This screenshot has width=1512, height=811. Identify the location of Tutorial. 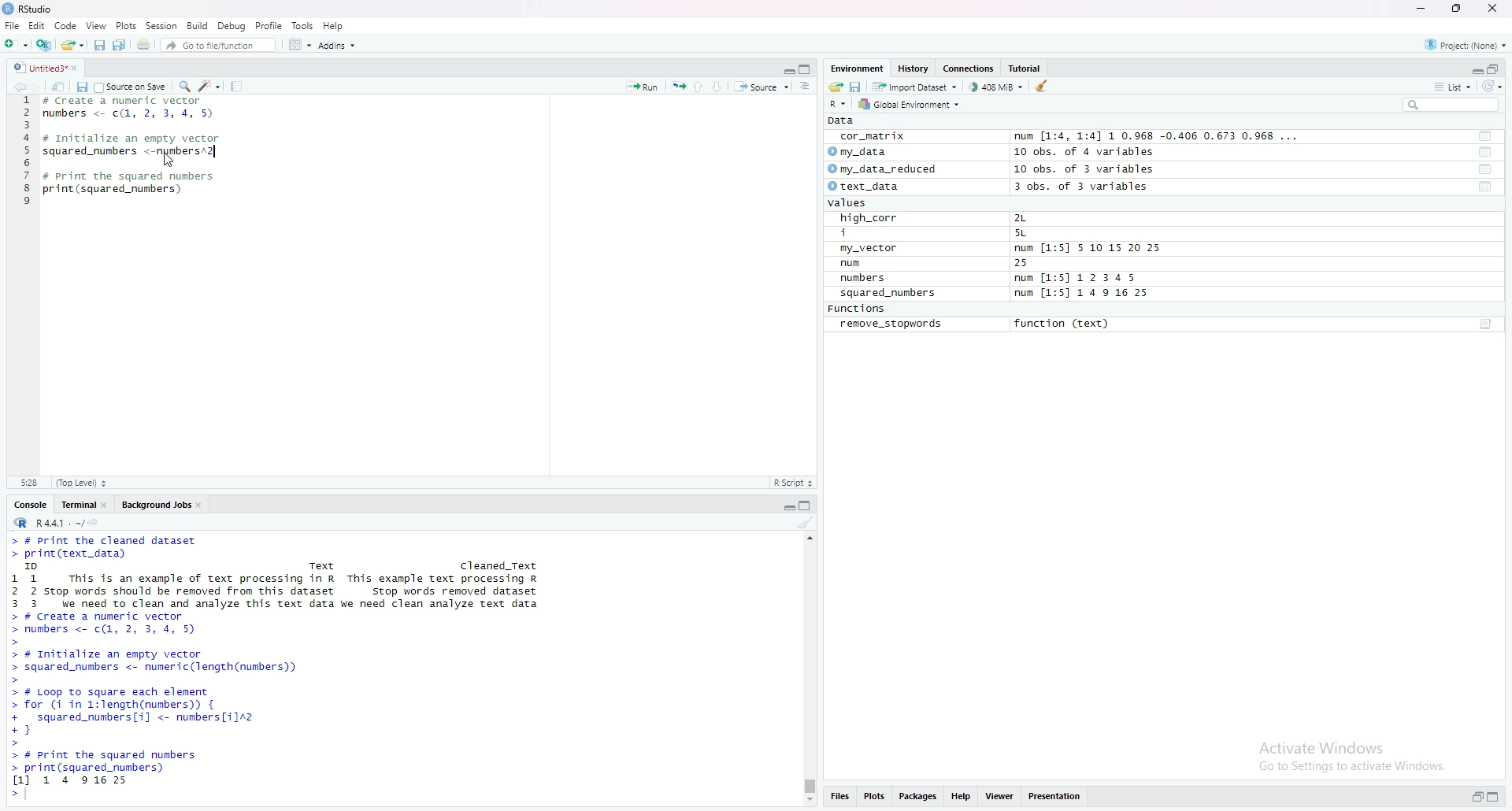
(1028, 69).